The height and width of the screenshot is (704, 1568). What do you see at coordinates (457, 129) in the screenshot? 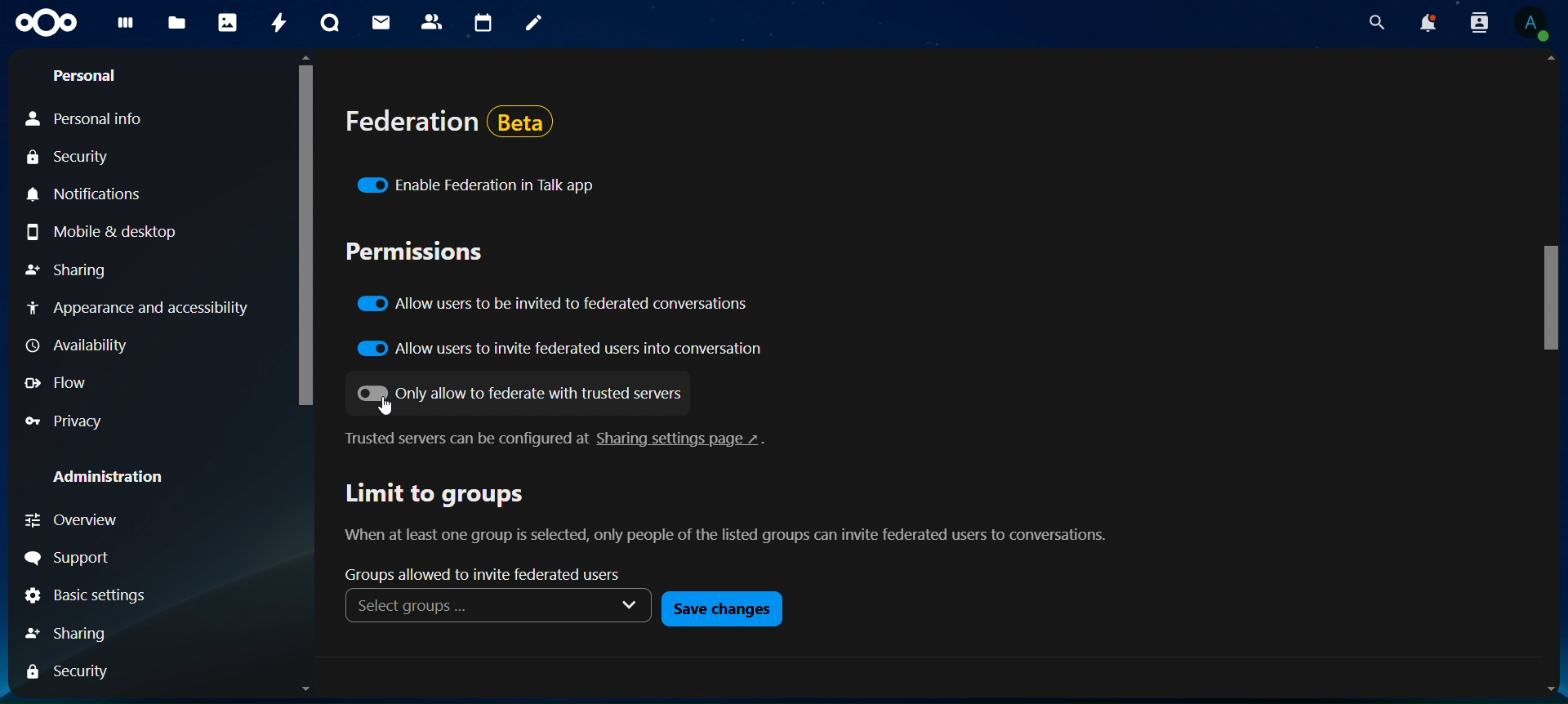
I see `federation` at bounding box center [457, 129].